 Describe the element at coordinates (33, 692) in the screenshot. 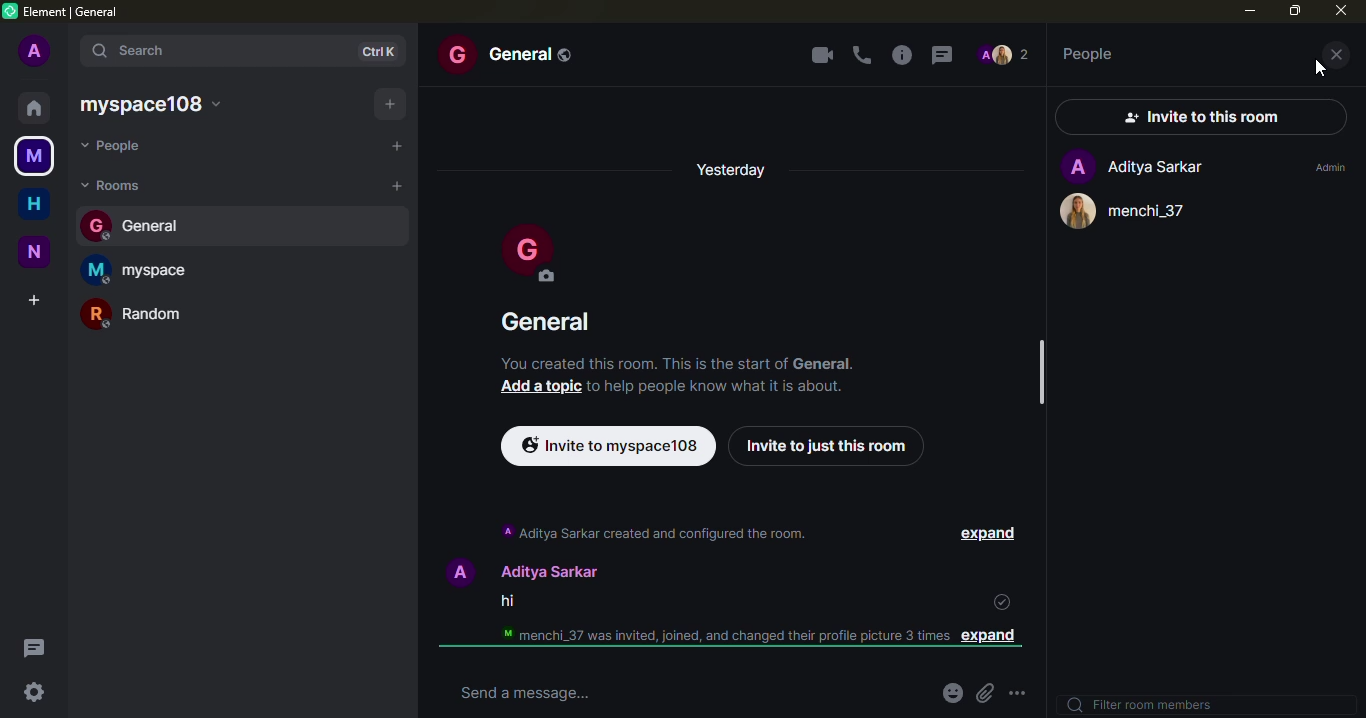

I see `settings` at that location.